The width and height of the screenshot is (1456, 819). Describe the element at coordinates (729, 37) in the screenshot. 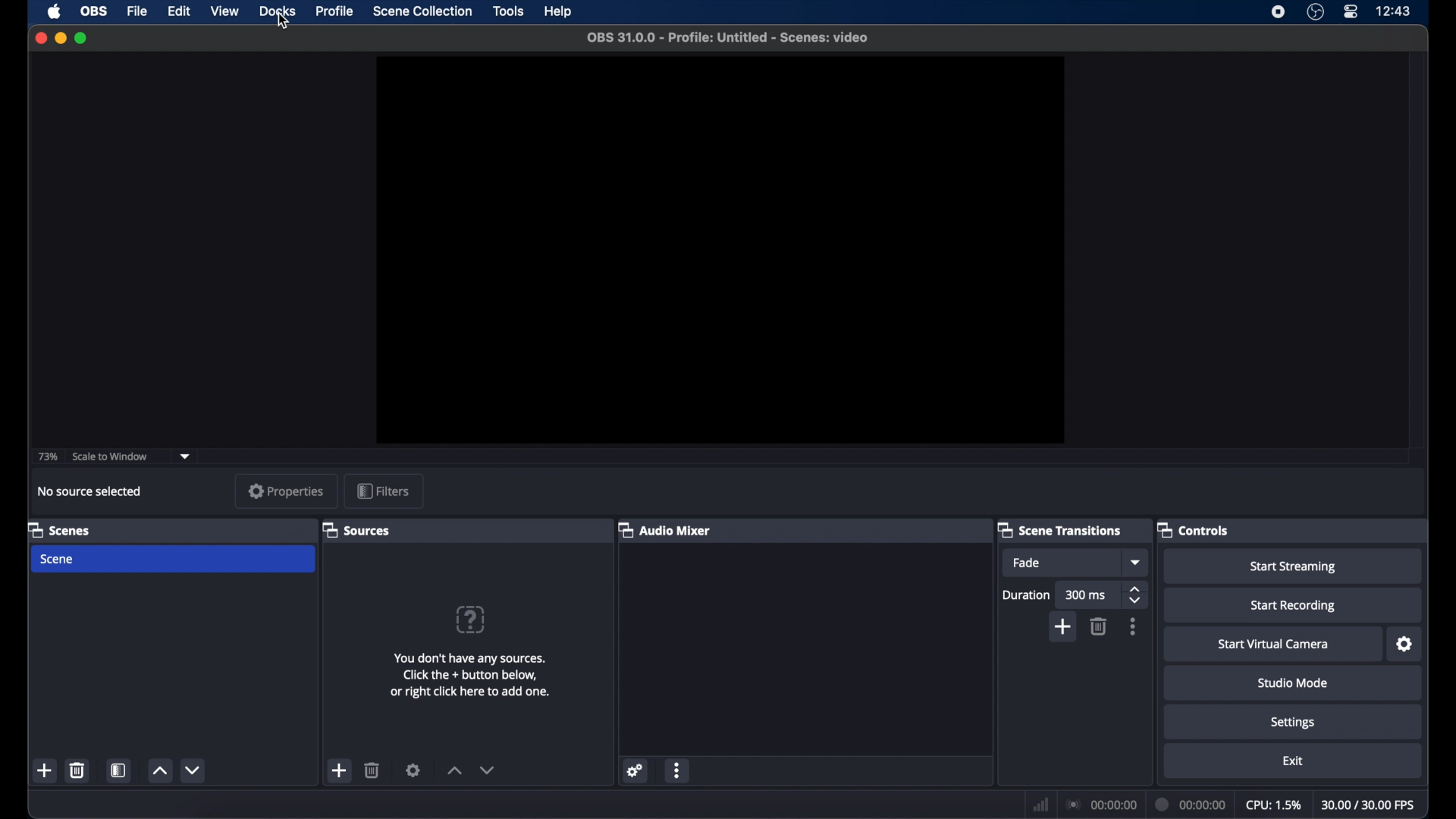

I see `file name` at that location.